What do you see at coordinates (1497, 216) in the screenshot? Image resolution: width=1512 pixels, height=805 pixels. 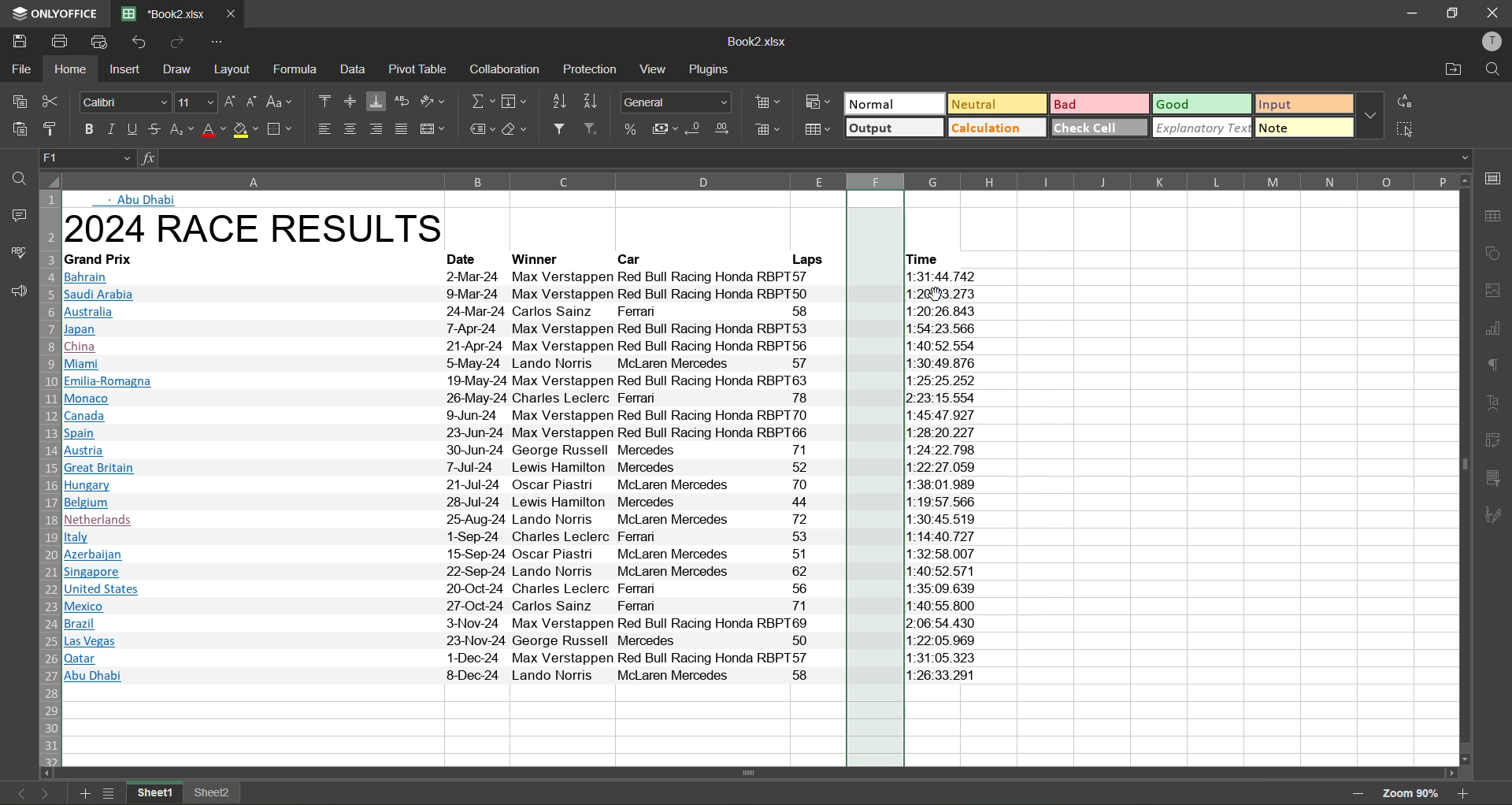 I see `table` at bounding box center [1497, 216].